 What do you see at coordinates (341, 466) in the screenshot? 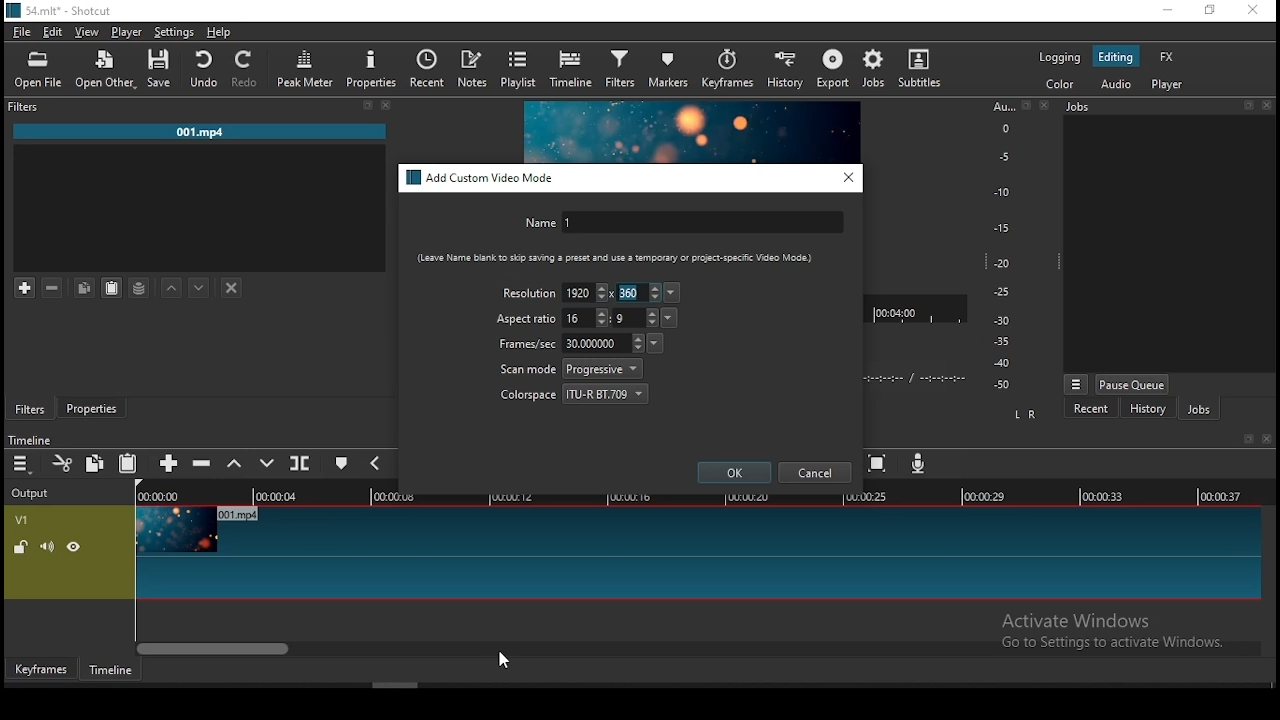
I see `create/edit marker` at bounding box center [341, 466].